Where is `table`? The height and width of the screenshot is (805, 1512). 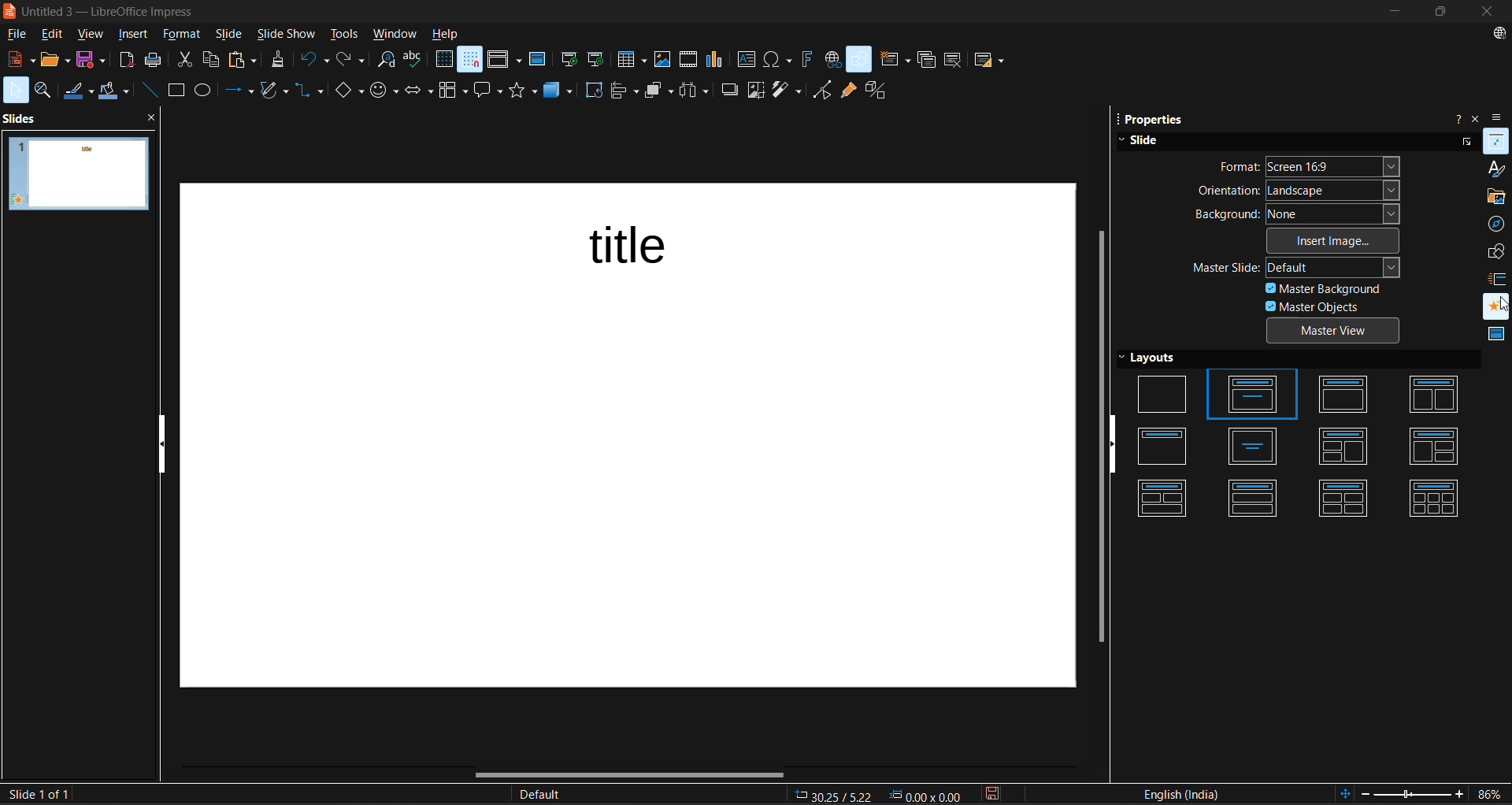
table is located at coordinates (632, 59).